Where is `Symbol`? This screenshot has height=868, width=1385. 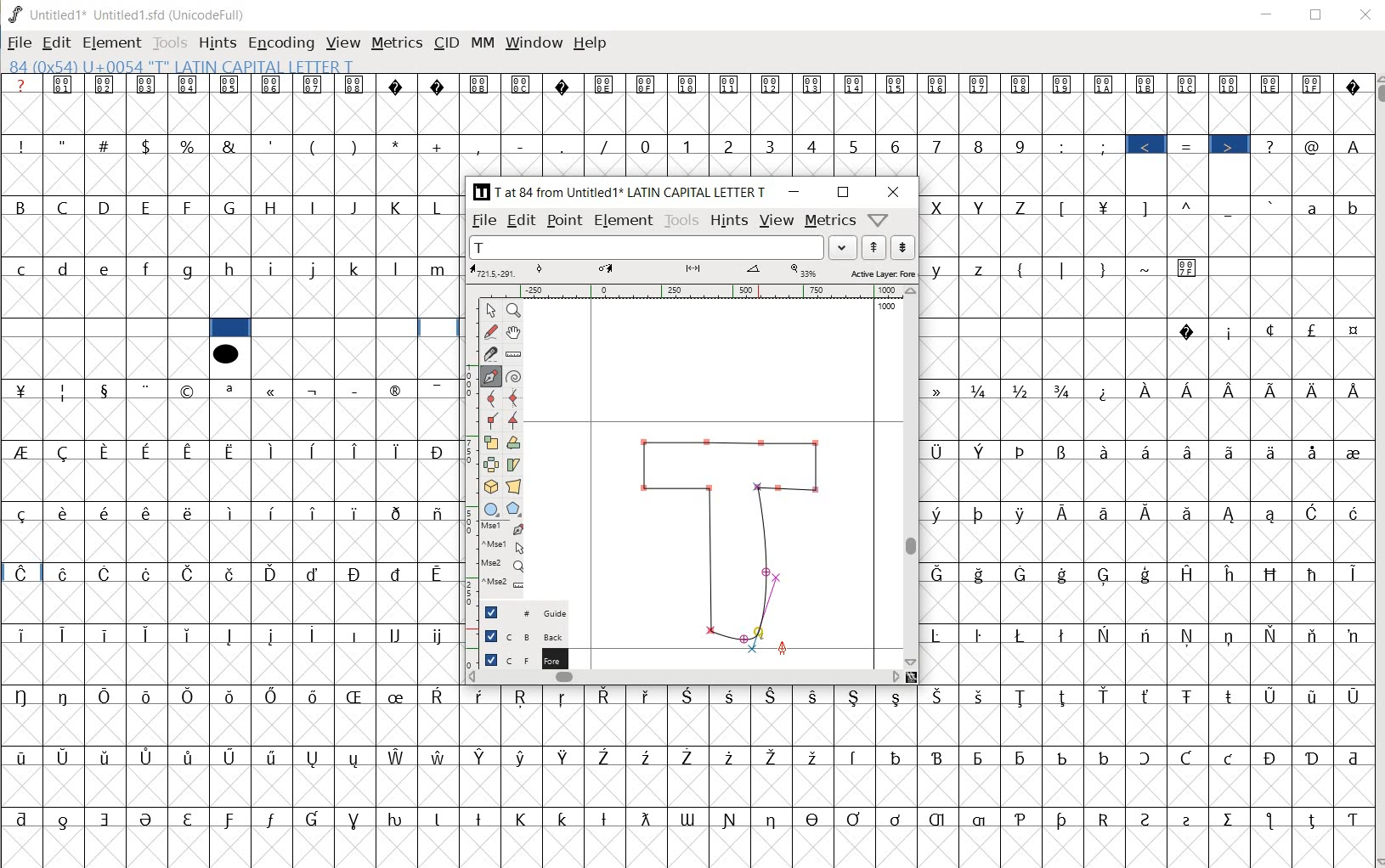 Symbol is located at coordinates (980, 635).